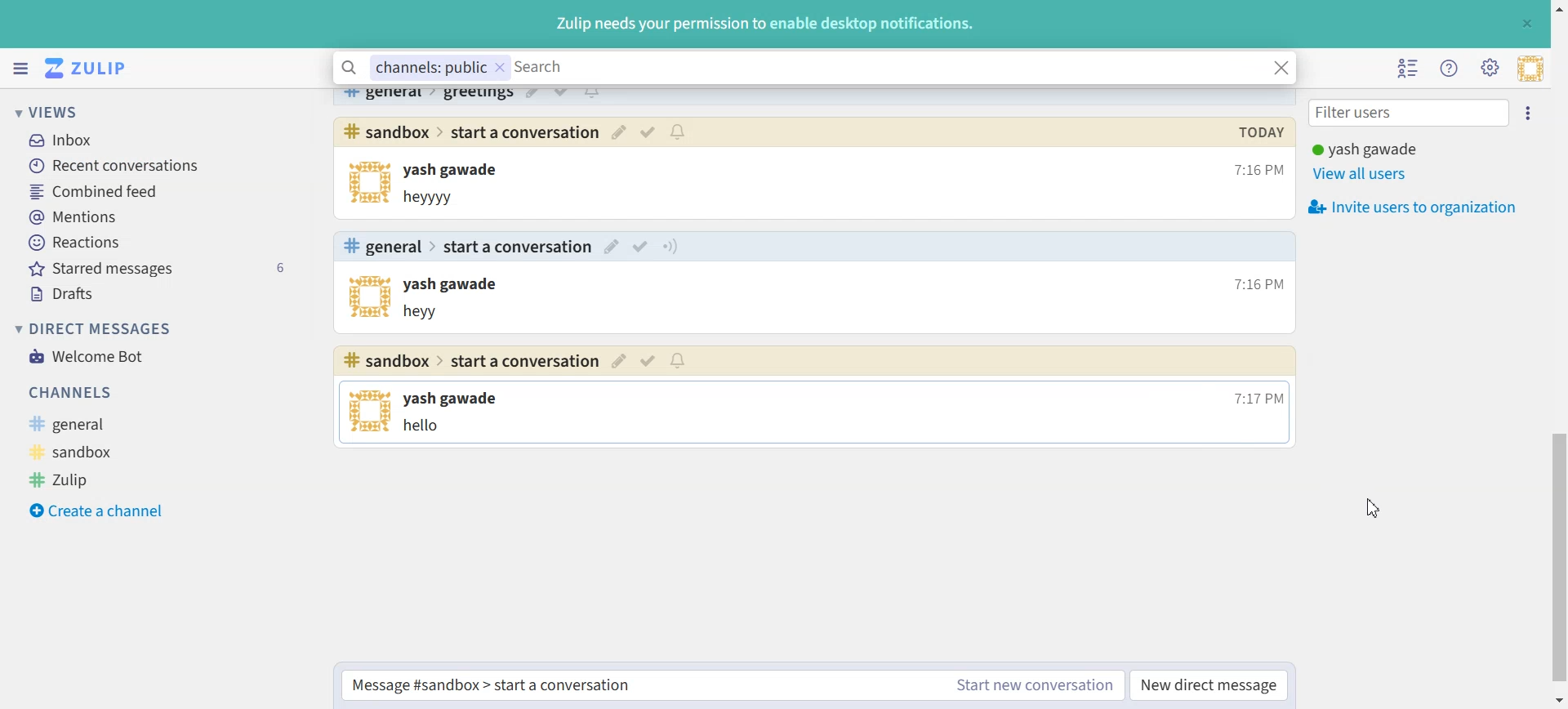  What do you see at coordinates (532, 95) in the screenshot?
I see `Edit topic` at bounding box center [532, 95].